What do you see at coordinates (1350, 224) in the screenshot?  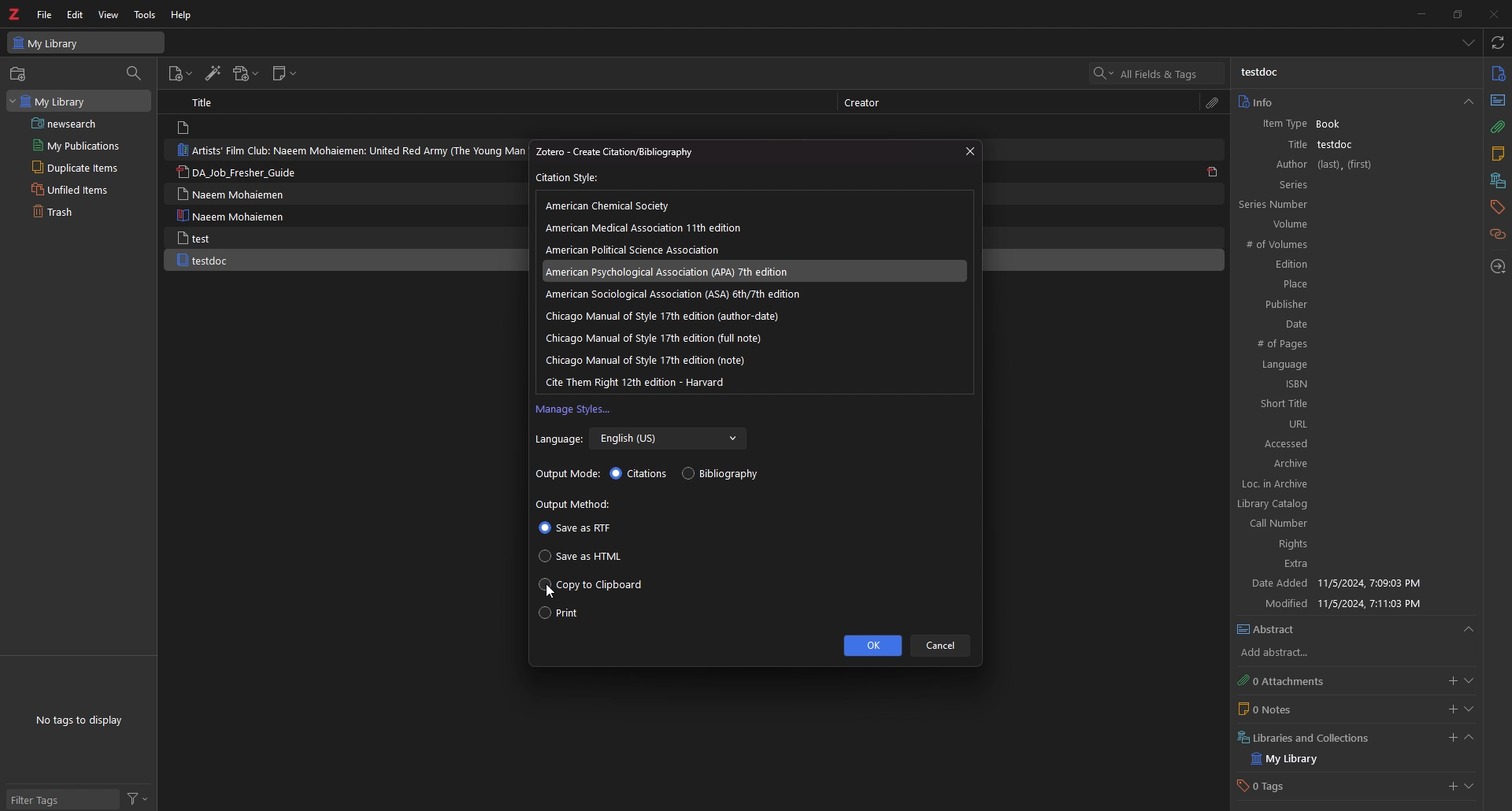 I see `Volume` at bounding box center [1350, 224].